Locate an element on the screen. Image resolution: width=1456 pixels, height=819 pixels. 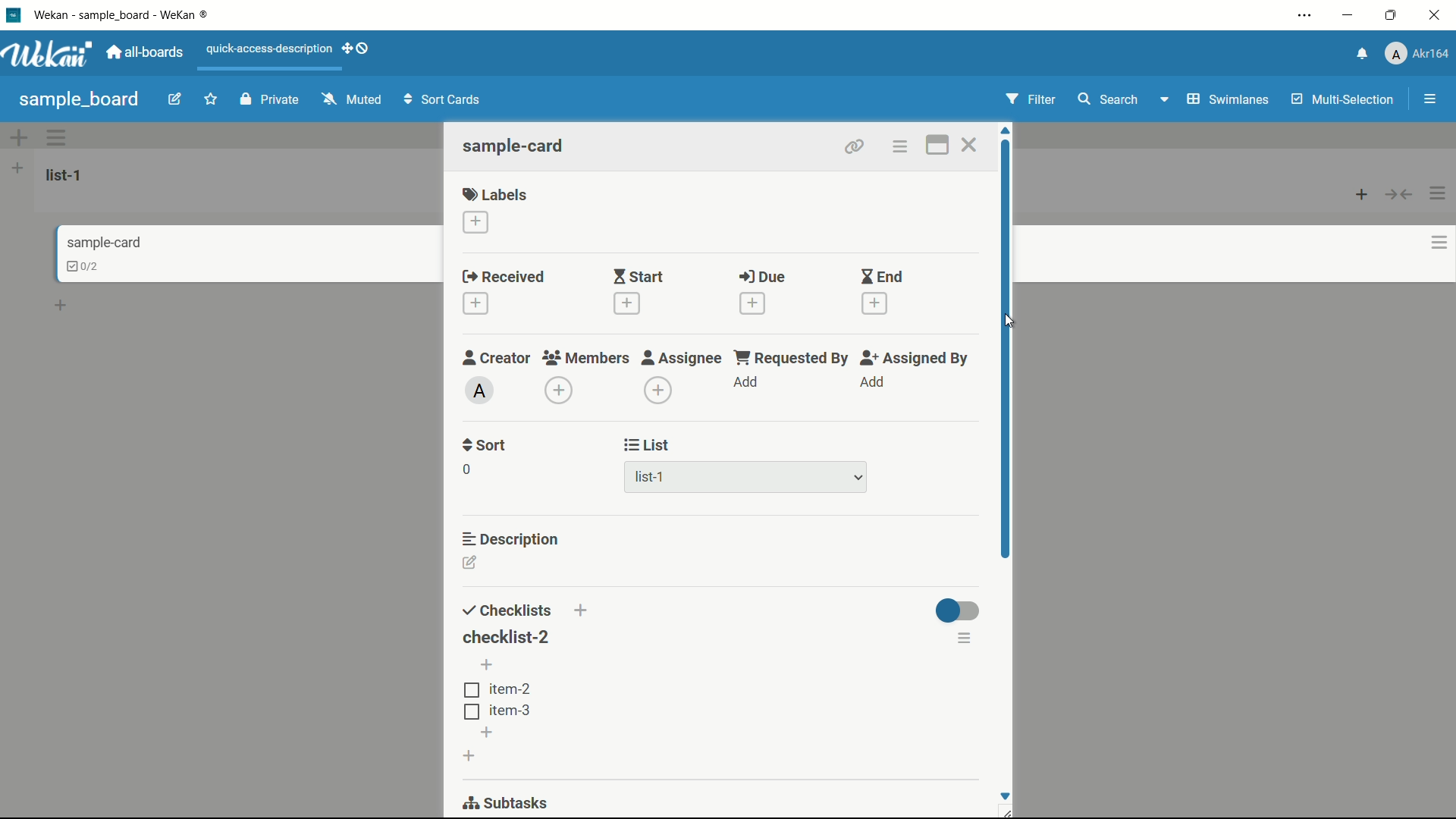
edit is located at coordinates (177, 101).